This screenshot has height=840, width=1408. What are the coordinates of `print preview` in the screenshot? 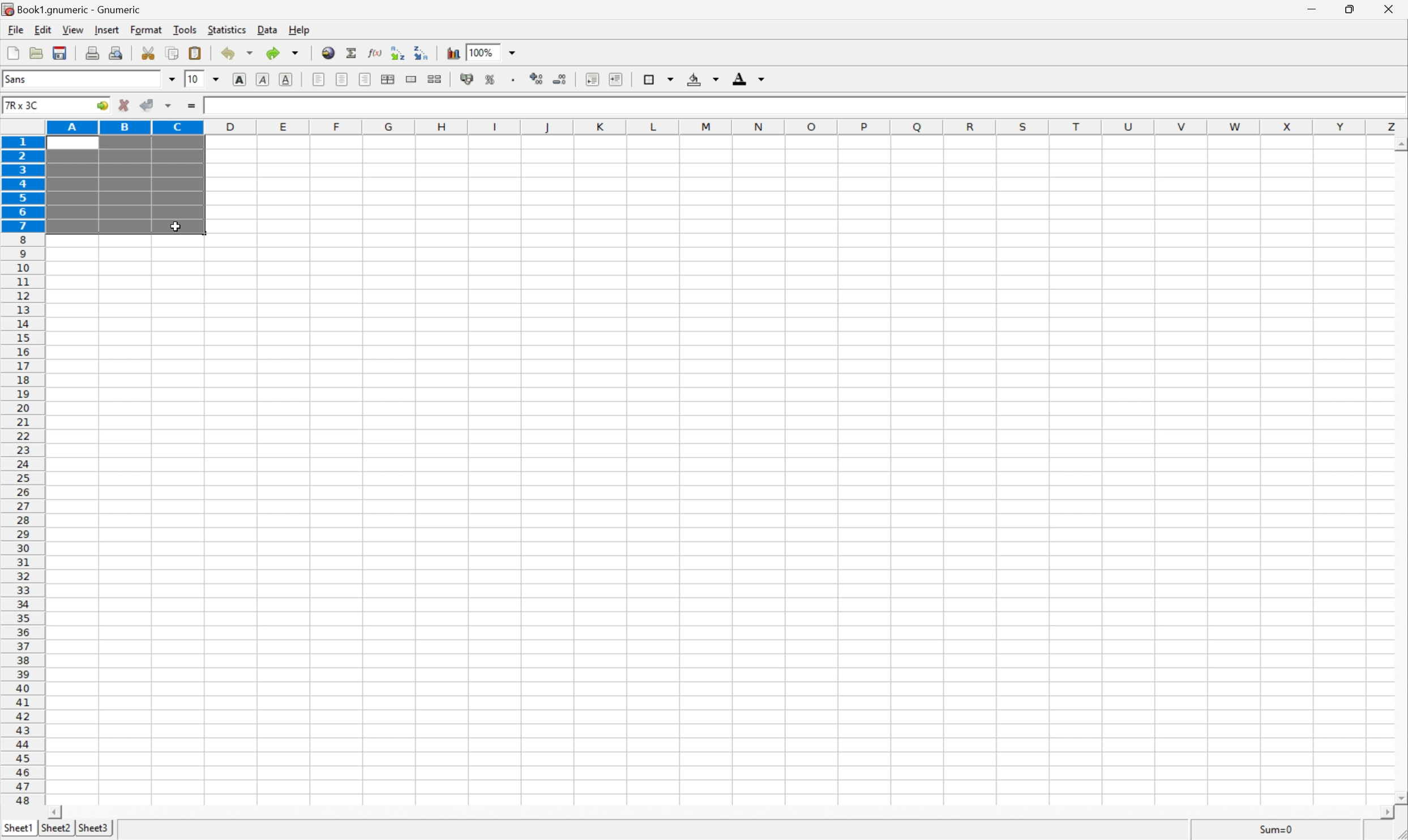 It's located at (116, 52).